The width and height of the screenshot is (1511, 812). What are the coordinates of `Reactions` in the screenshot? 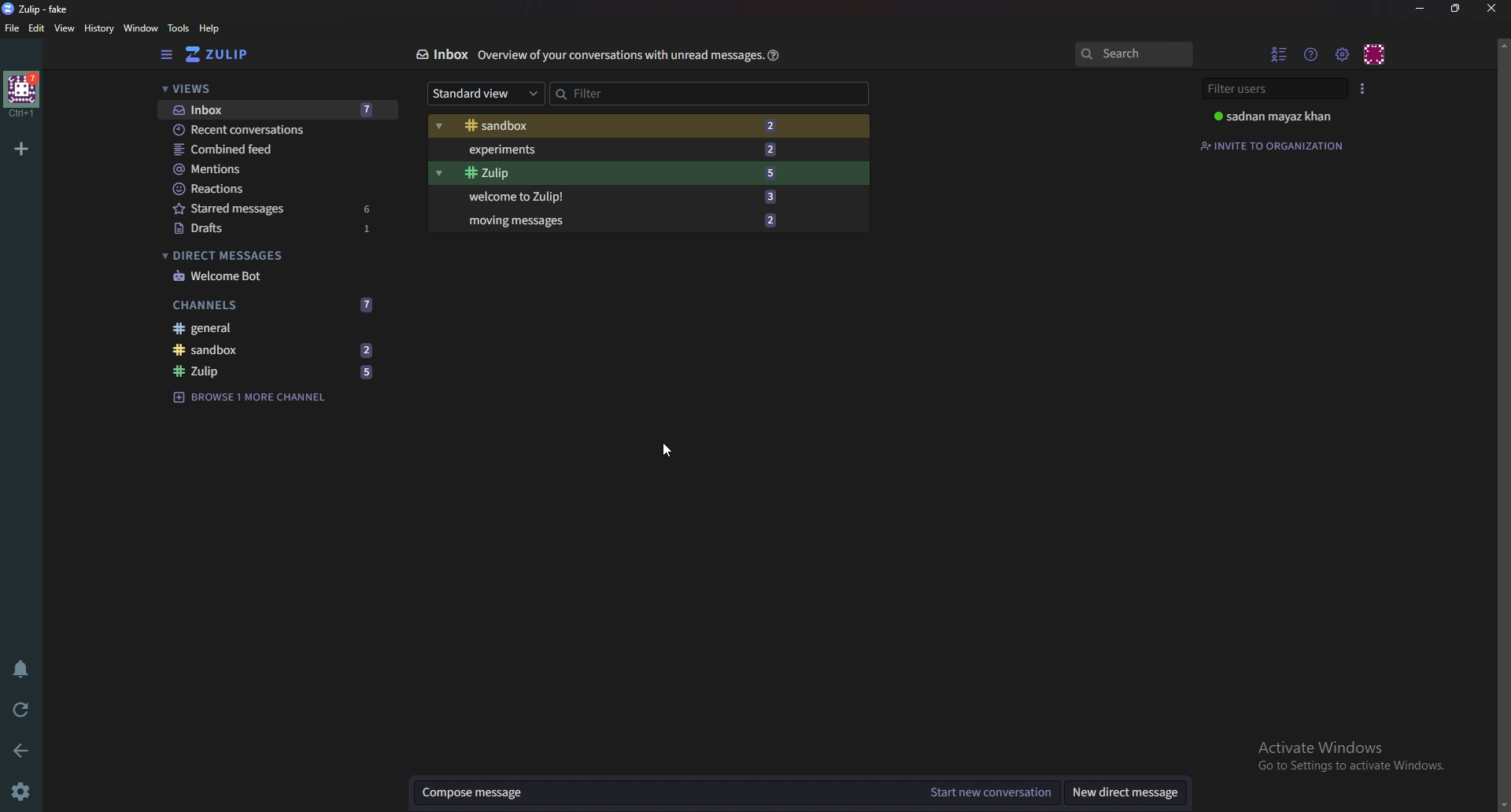 It's located at (269, 187).